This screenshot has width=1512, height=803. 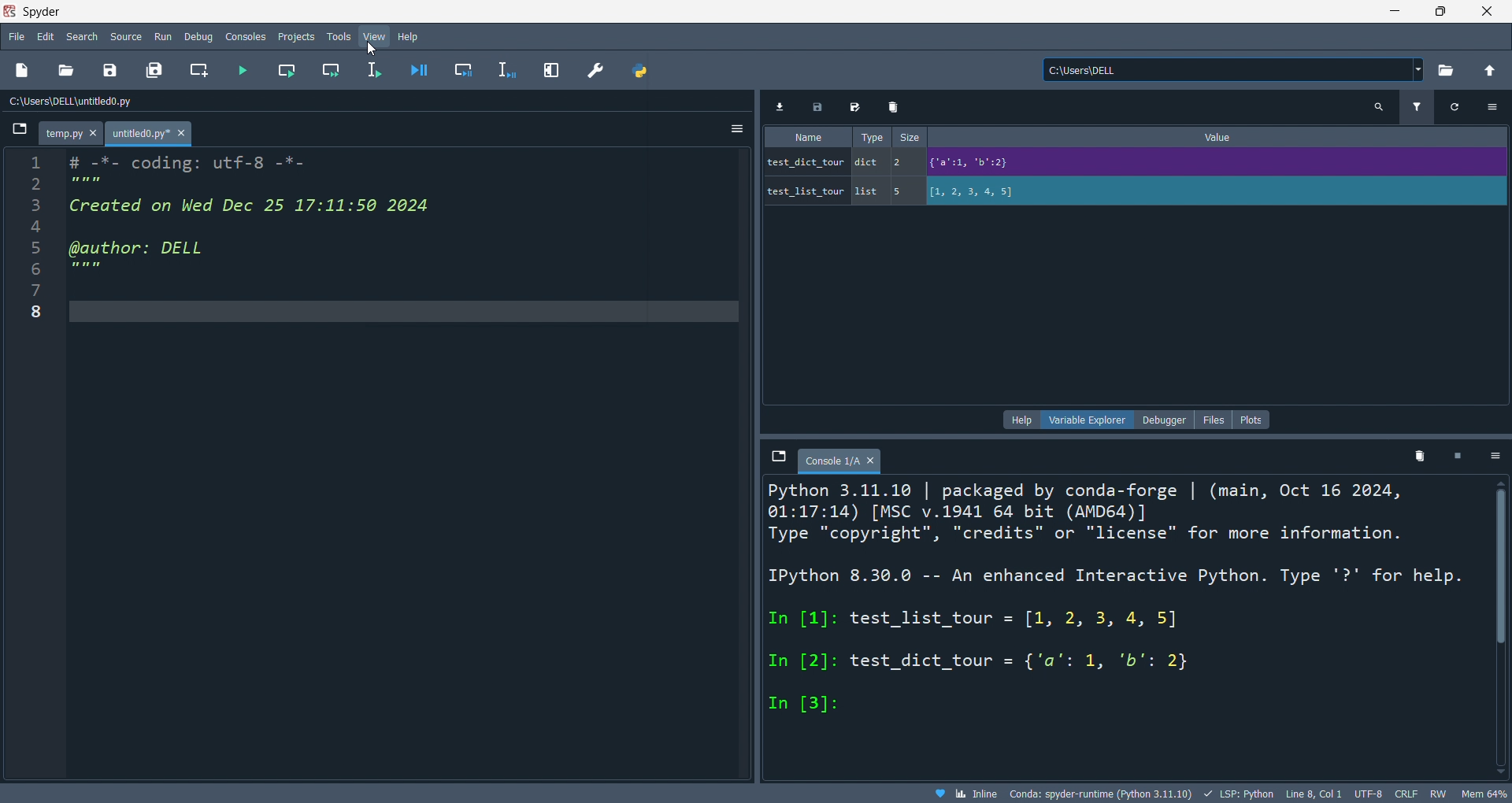 I want to click on open parent directory, so click(x=1490, y=68).